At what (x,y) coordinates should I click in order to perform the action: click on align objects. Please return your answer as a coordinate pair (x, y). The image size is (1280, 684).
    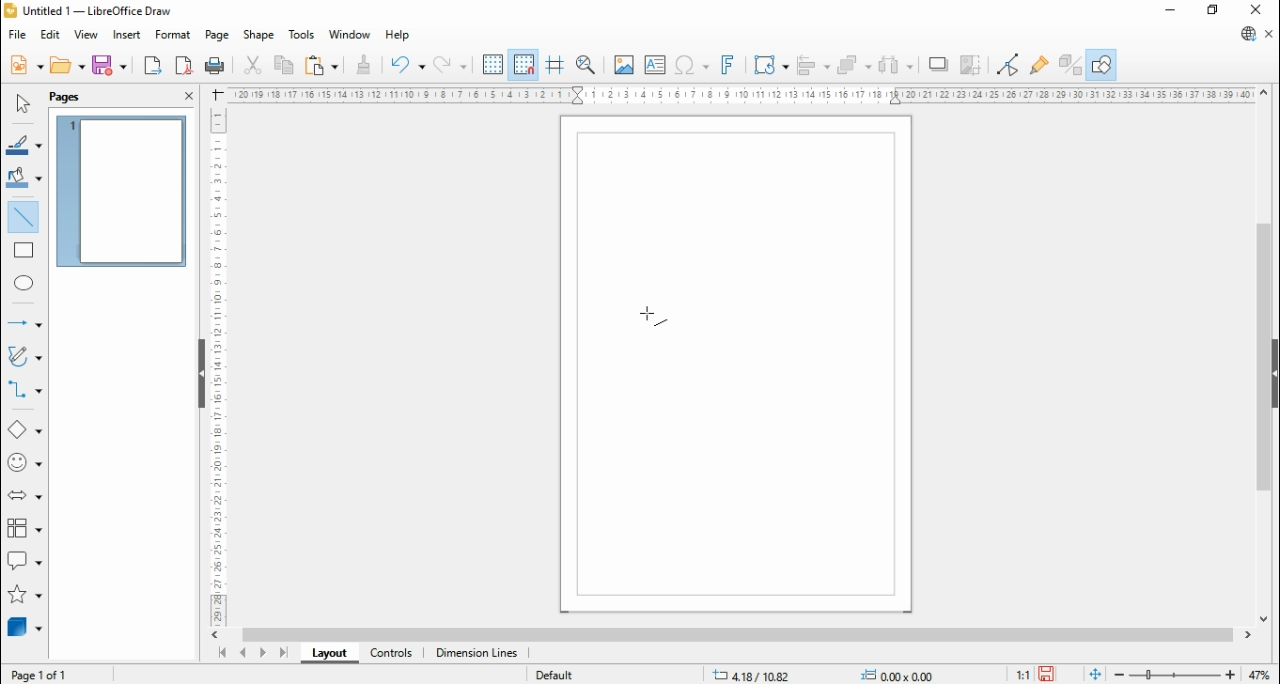
    Looking at the image, I should click on (815, 64).